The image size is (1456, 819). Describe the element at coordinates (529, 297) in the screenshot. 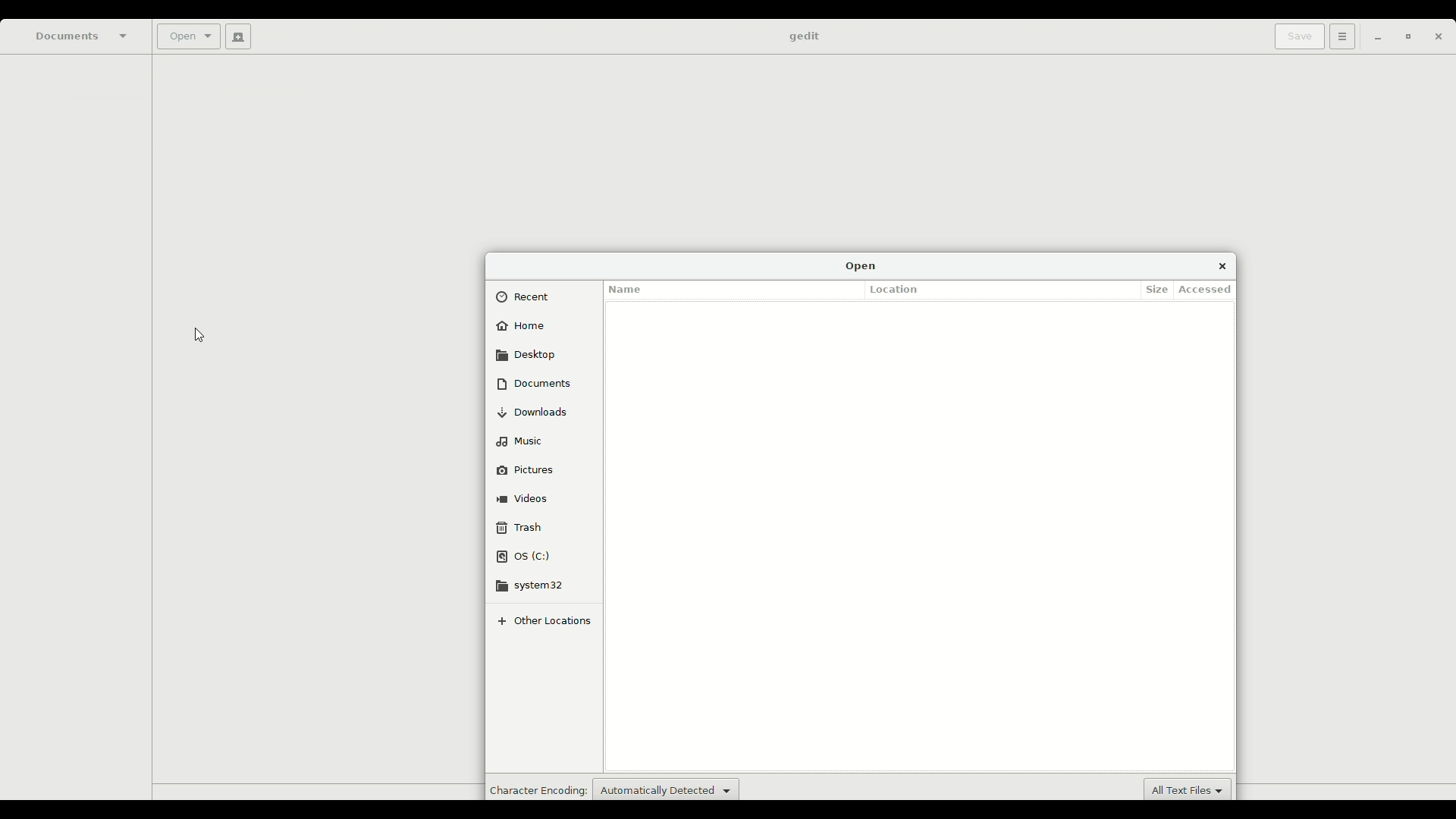

I see `Recent` at that location.